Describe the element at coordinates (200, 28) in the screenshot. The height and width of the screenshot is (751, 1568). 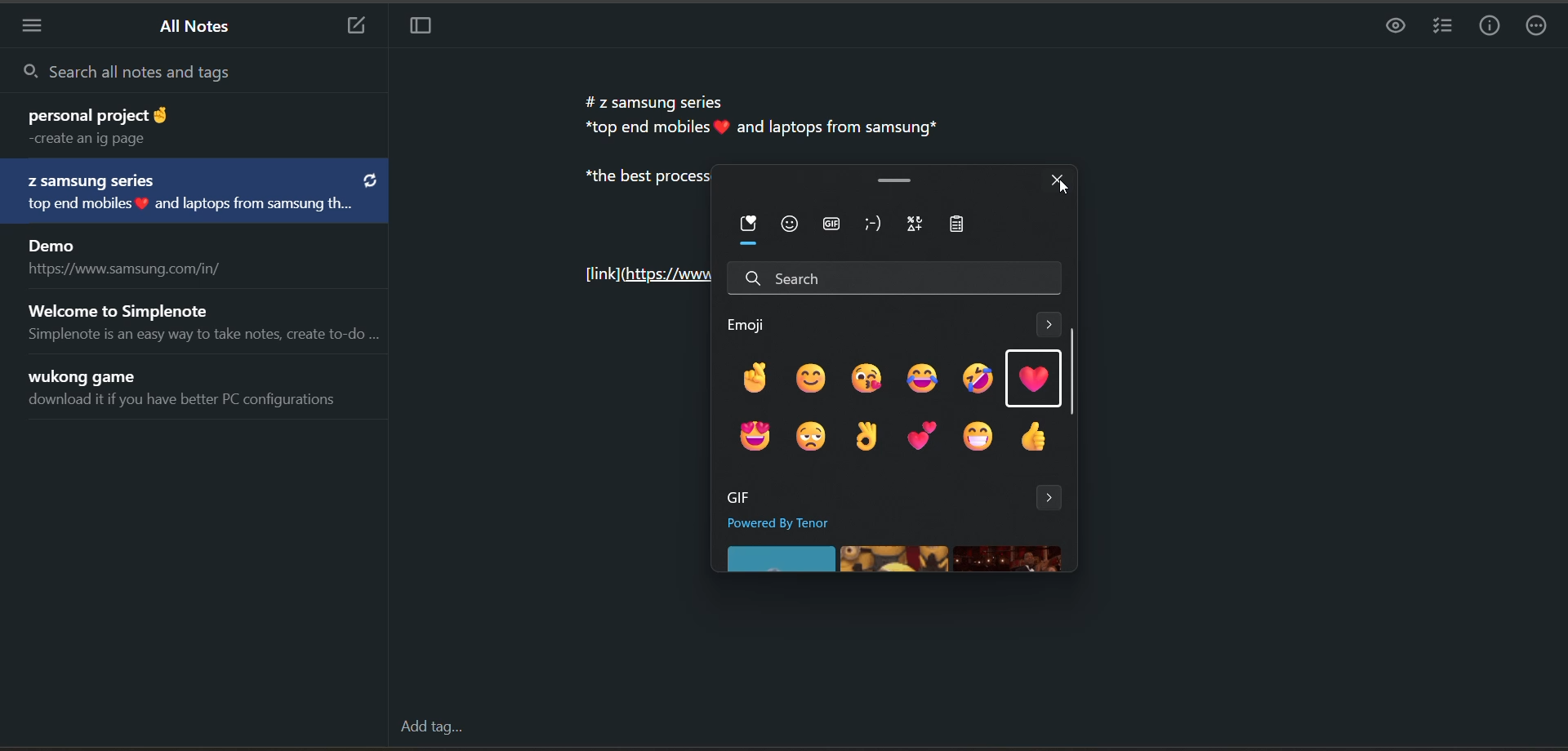
I see `all notes` at that location.